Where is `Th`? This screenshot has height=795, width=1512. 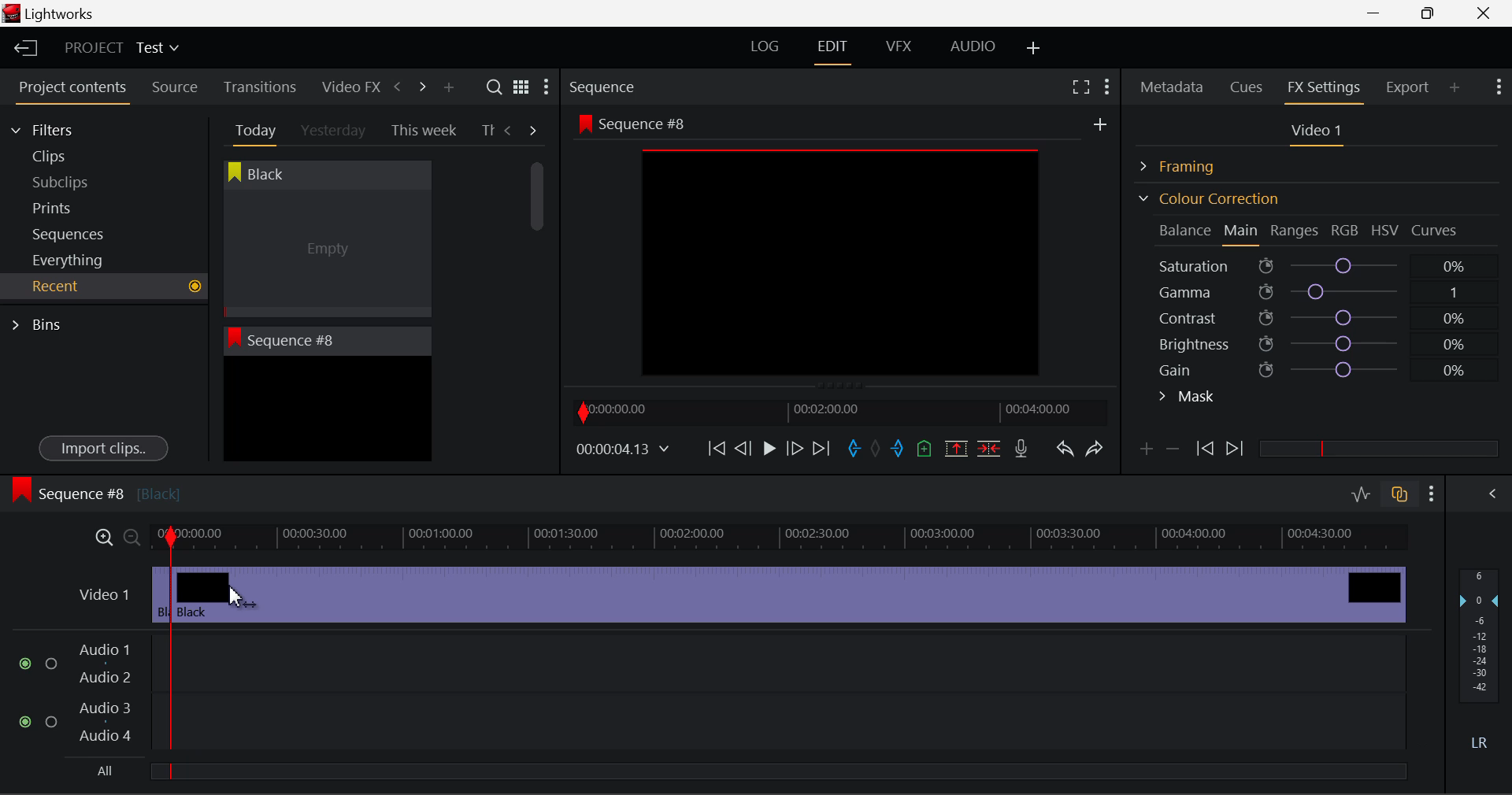
Th is located at coordinates (487, 130).